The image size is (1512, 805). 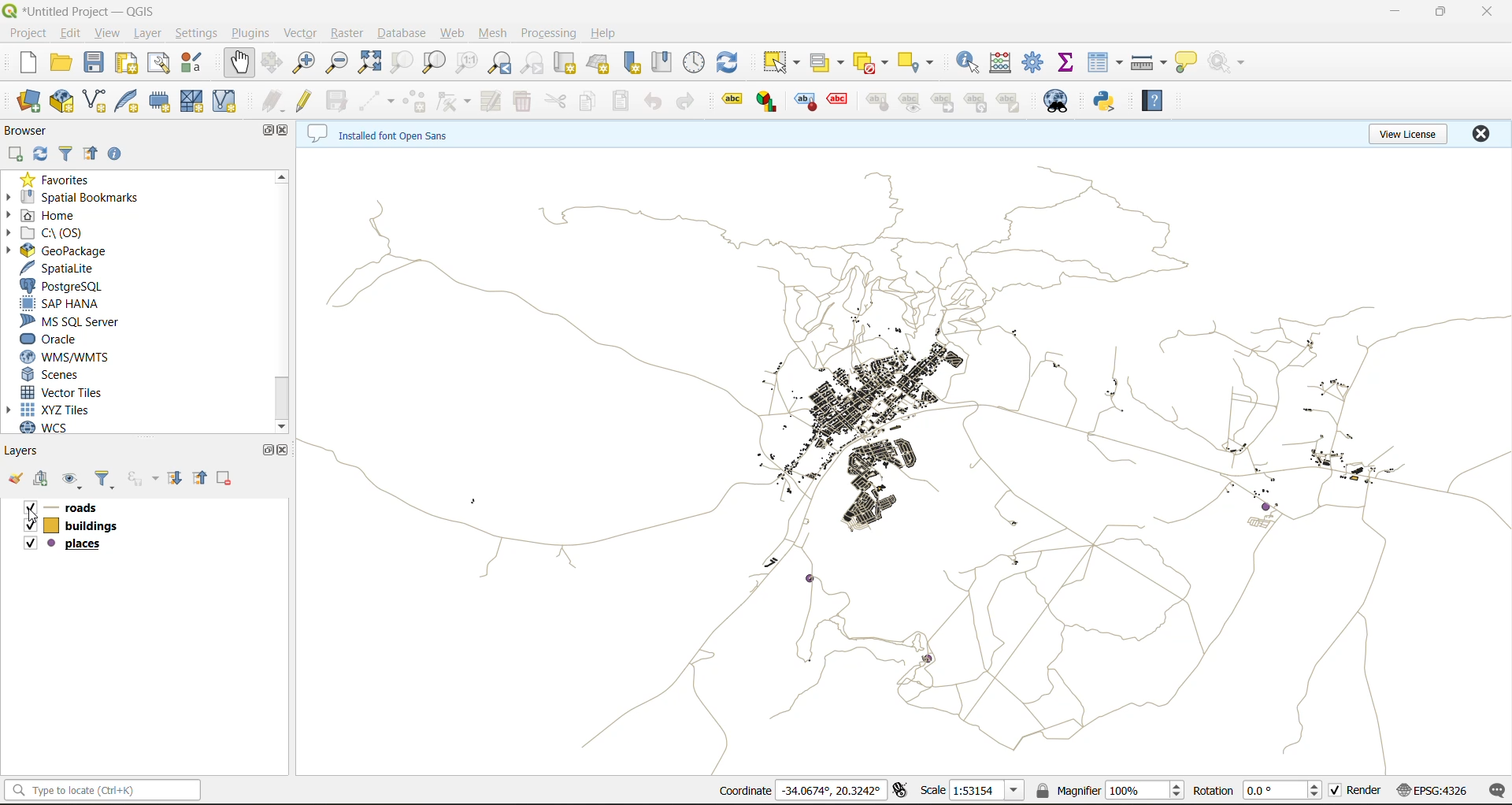 What do you see at coordinates (111, 33) in the screenshot?
I see `view` at bounding box center [111, 33].